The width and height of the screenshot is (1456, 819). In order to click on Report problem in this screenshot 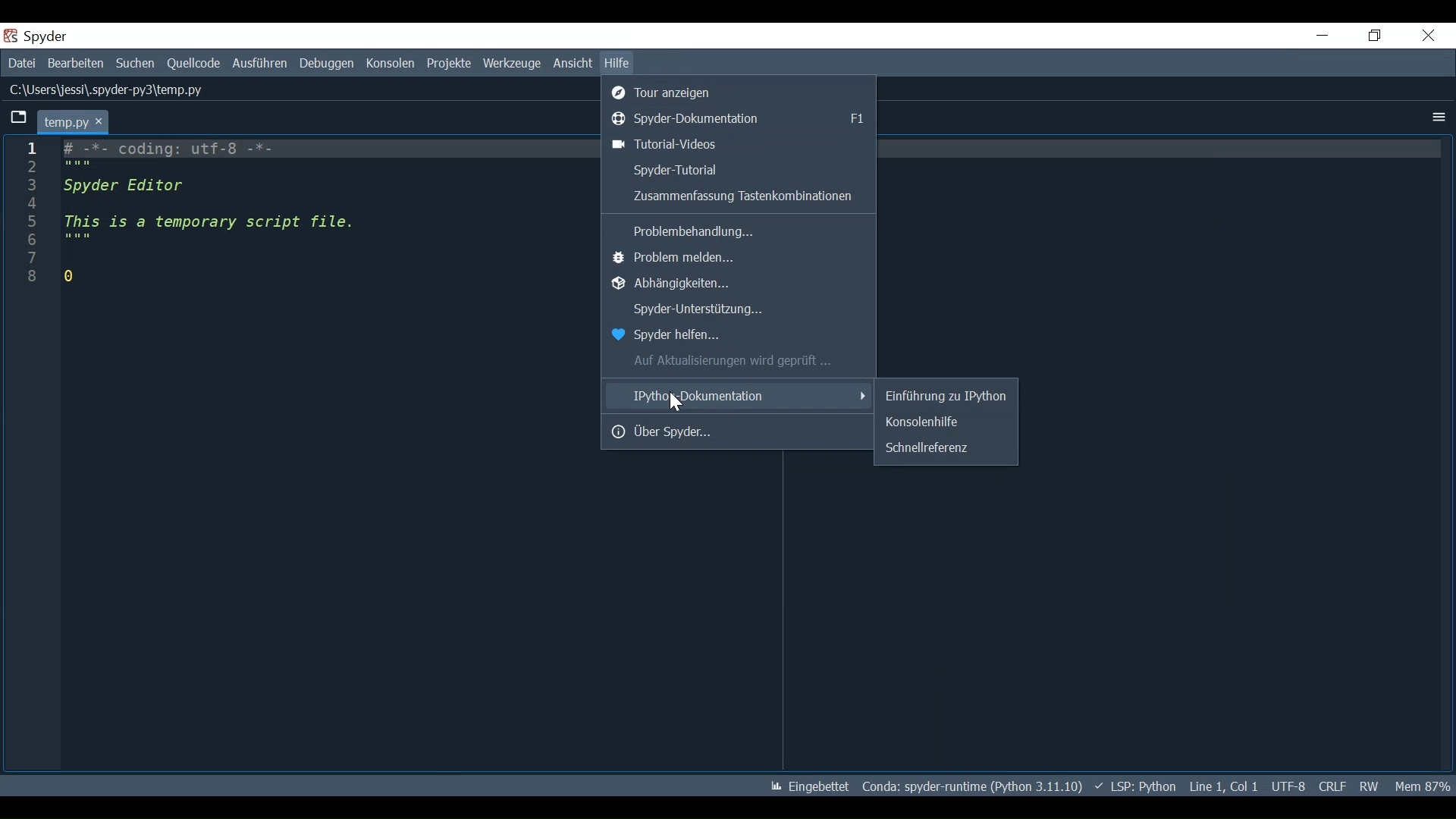, I will do `click(740, 259)`.